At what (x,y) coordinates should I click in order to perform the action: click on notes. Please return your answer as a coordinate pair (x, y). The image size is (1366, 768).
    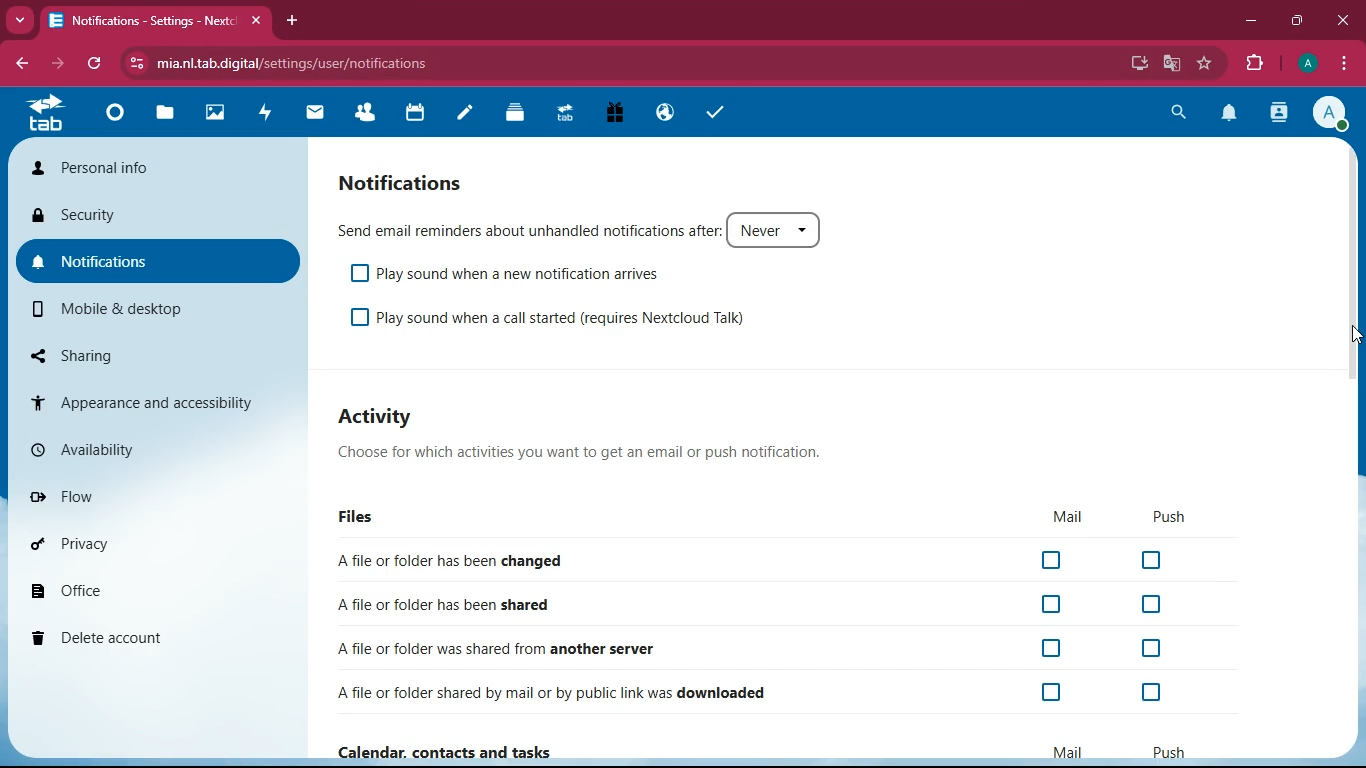
    Looking at the image, I should click on (466, 113).